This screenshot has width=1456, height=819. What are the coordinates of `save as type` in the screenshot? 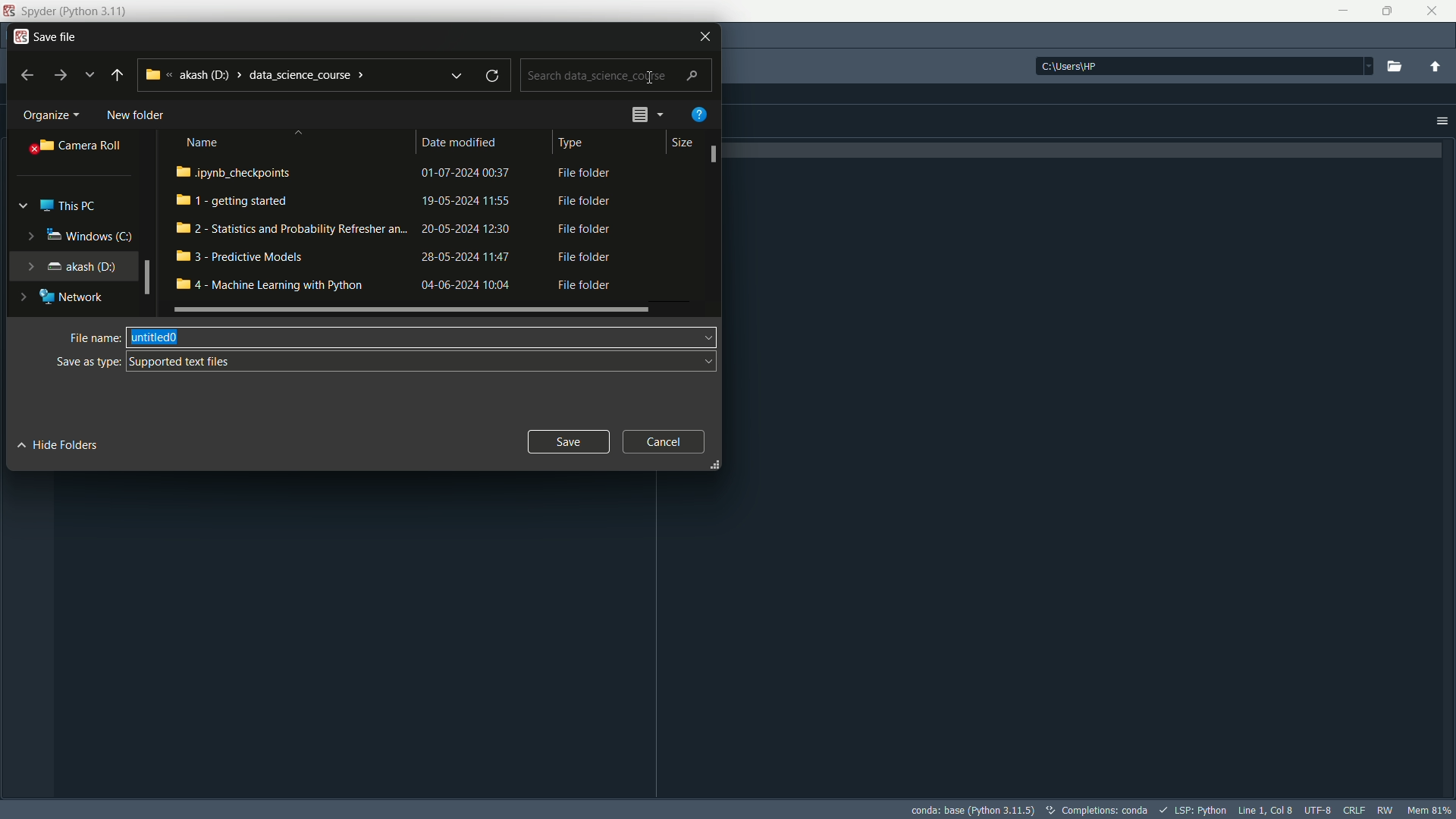 It's located at (89, 362).